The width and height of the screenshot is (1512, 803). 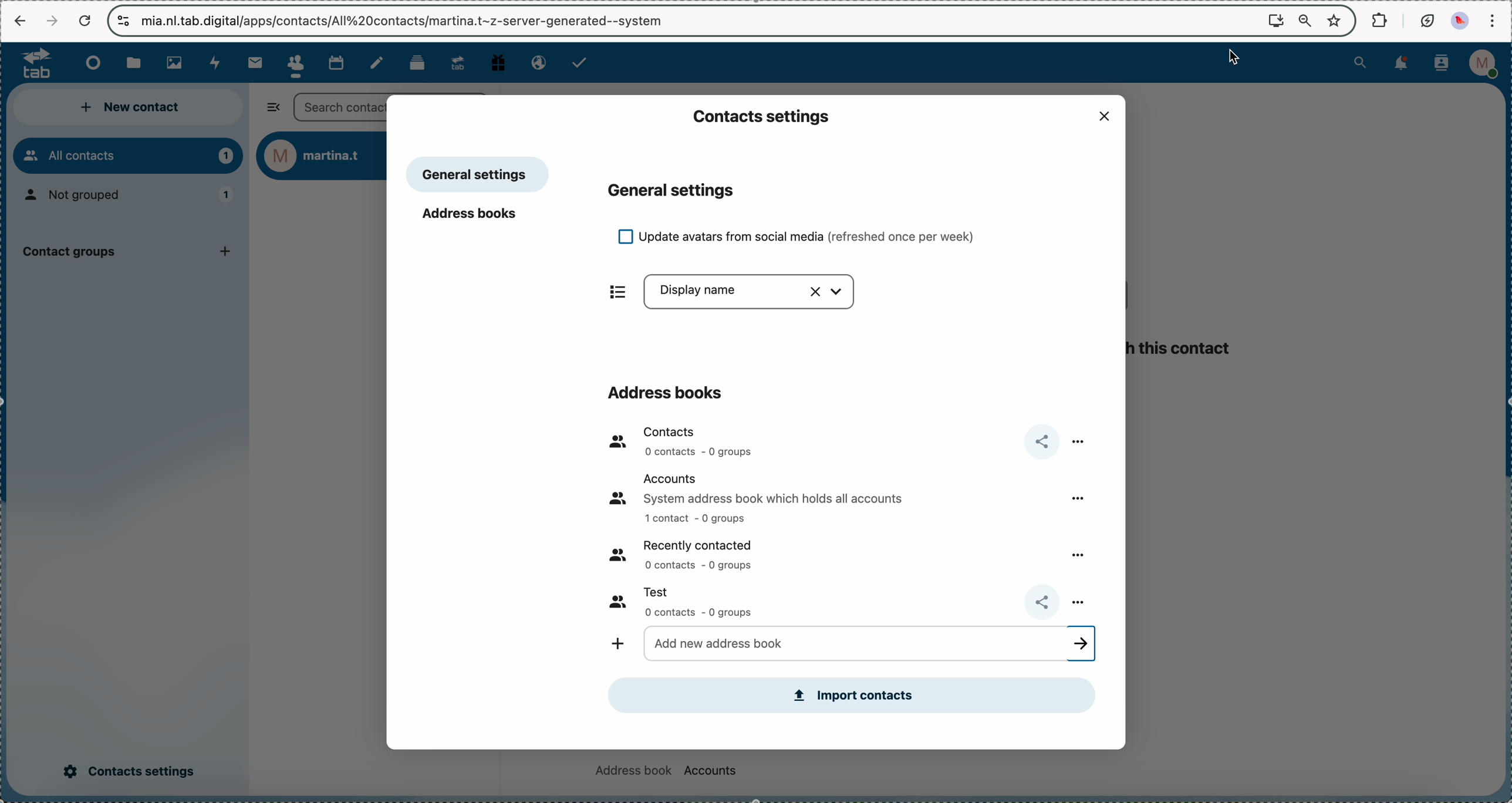 I want to click on address books, so click(x=667, y=393).